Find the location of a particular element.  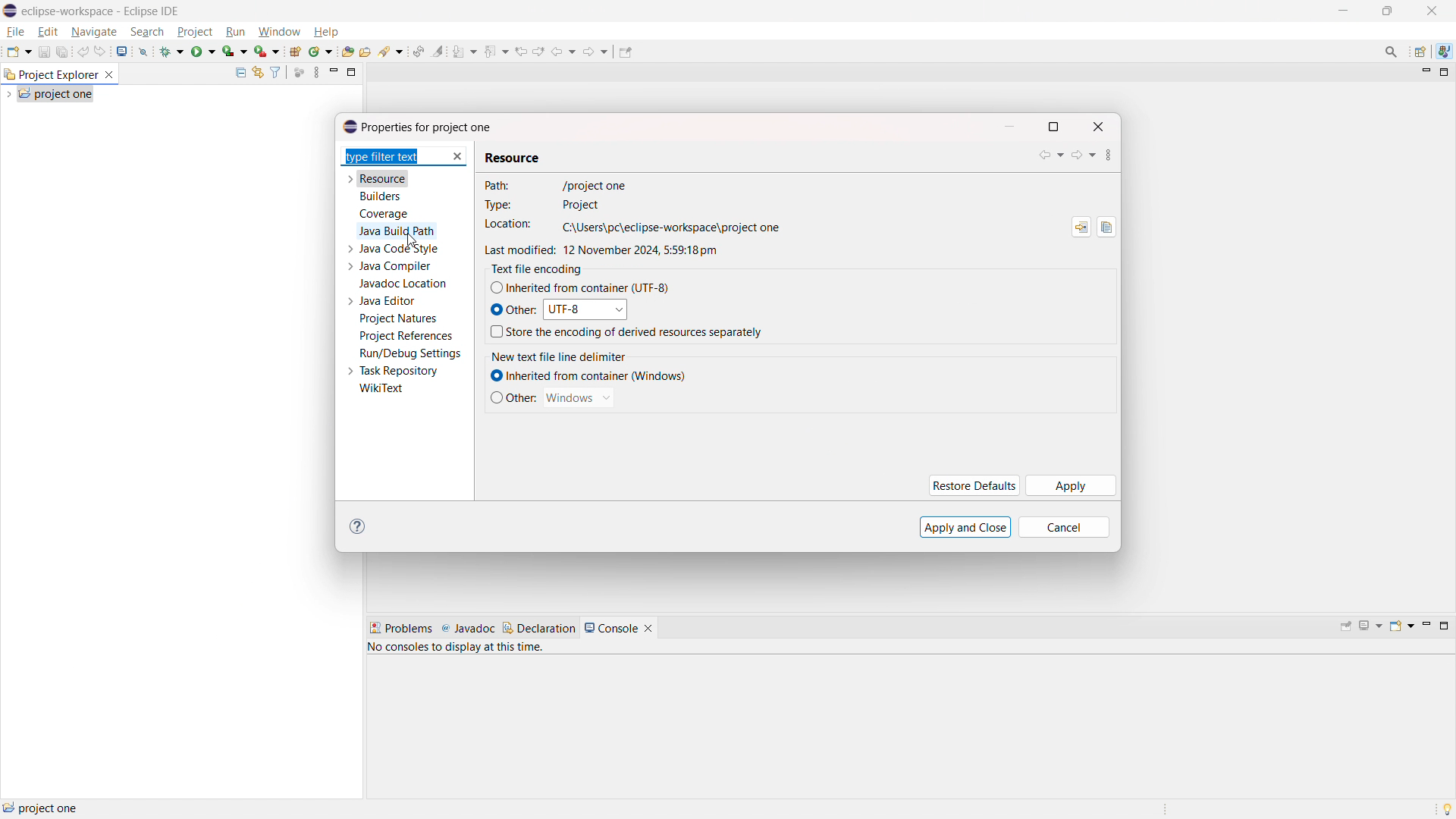

type filter text is located at coordinates (394, 157).